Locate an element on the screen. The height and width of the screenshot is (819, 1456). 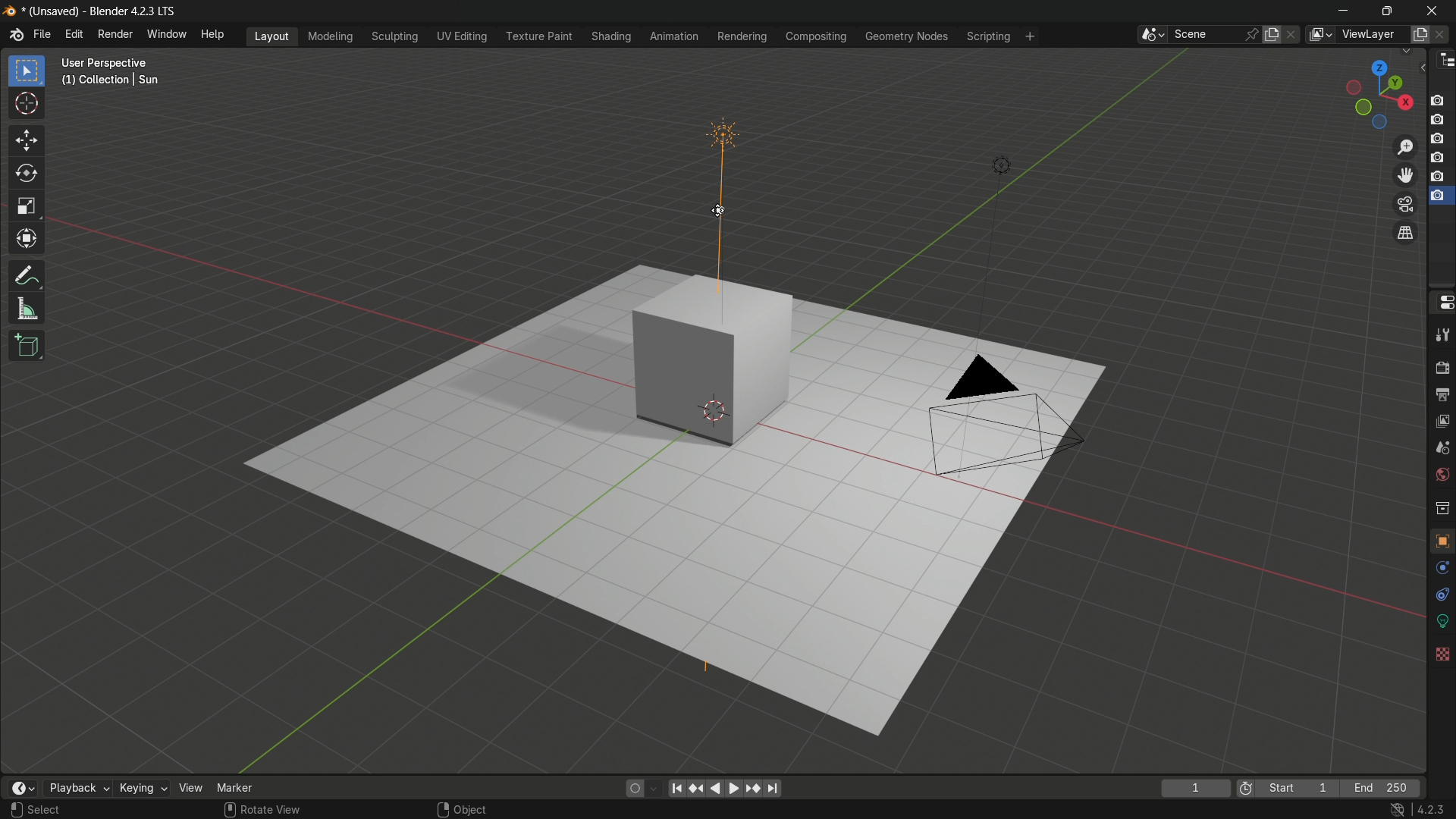
rotate or preset viewpoint is located at coordinates (1373, 93).